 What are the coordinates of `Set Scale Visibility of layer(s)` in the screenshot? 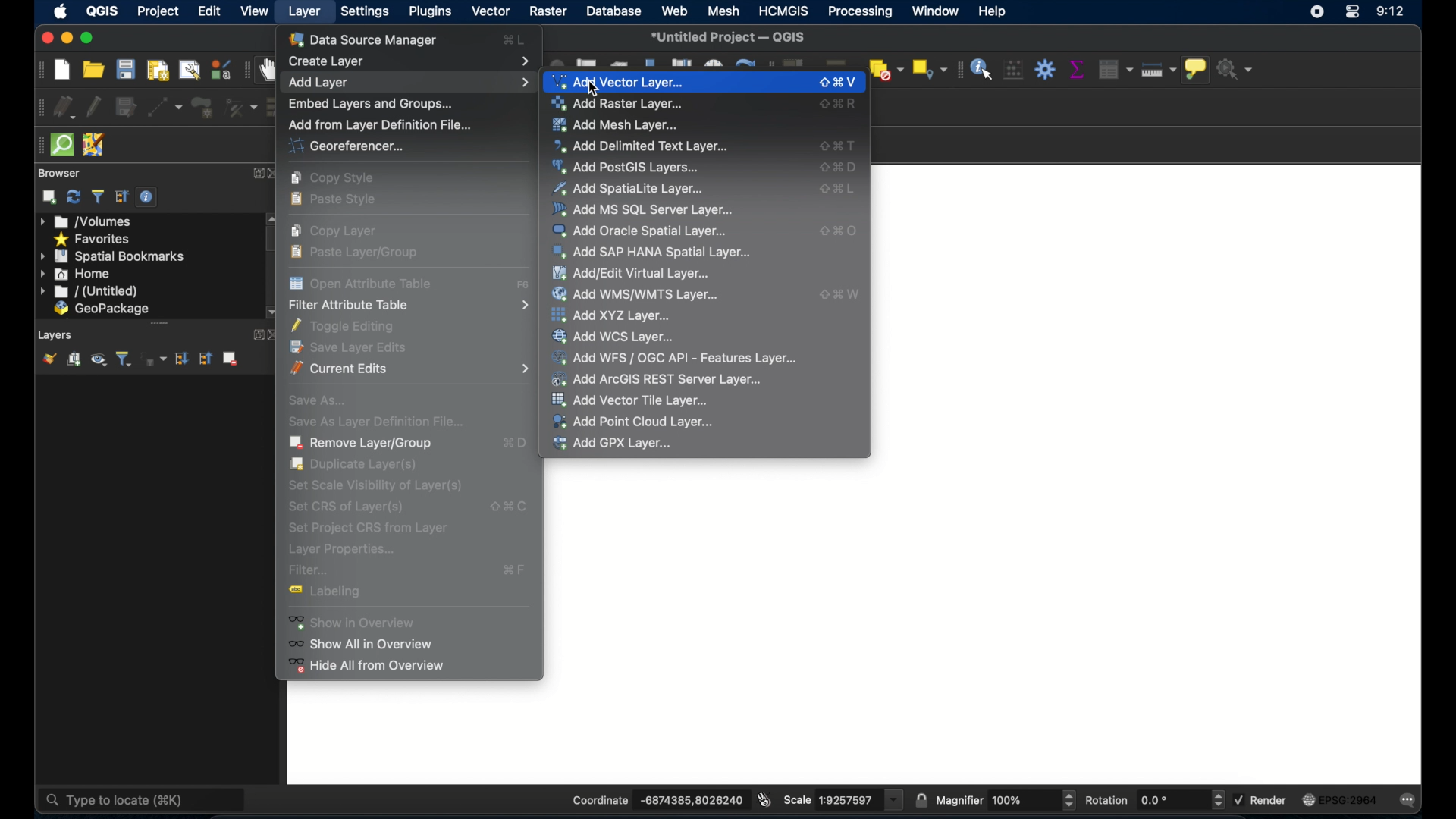 It's located at (413, 486).